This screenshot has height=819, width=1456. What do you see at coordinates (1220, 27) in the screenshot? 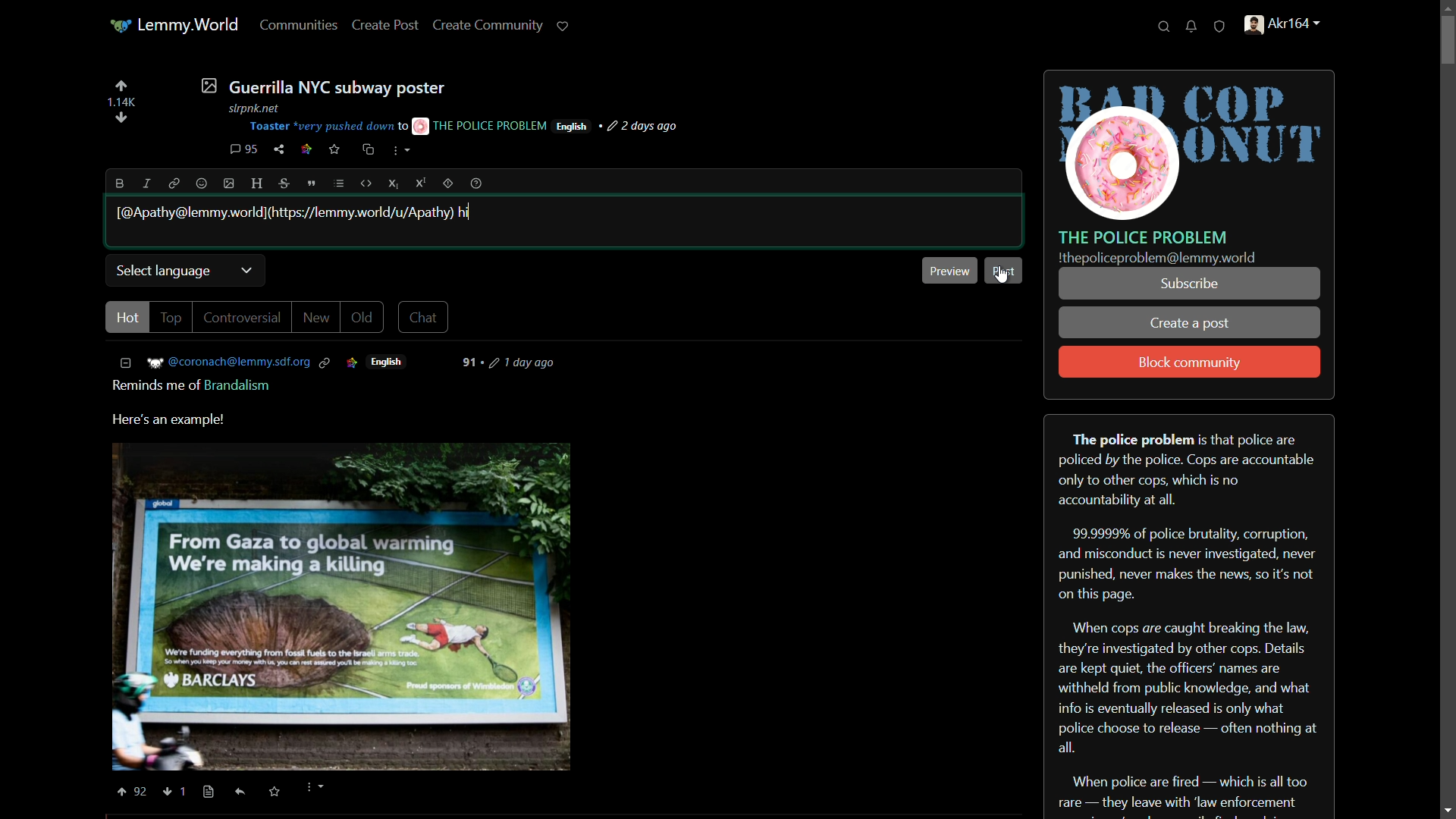
I see `unread reports` at bounding box center [1220, 27].